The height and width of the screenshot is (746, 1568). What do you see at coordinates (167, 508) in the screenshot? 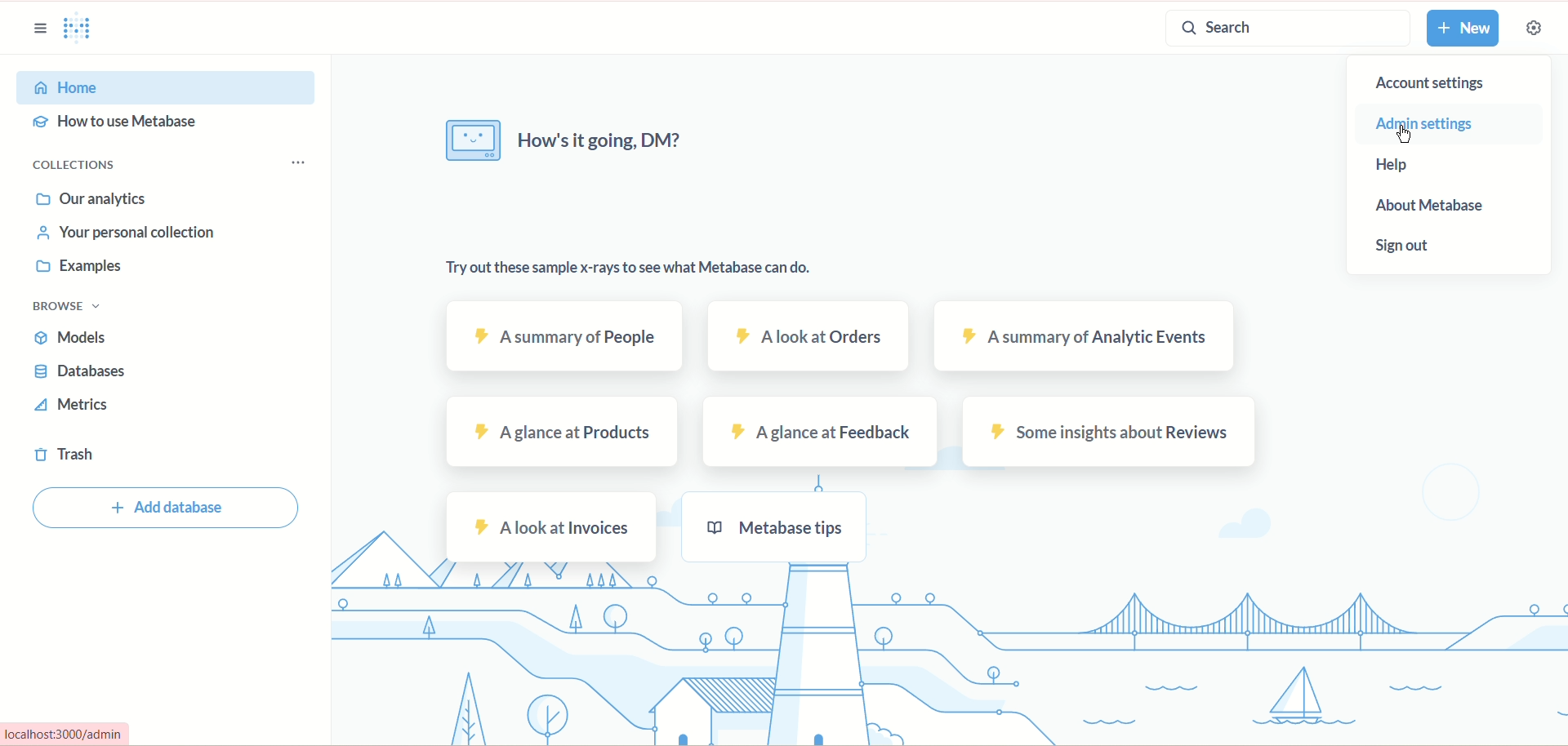
I see `add database` at bounding box center [167, 508].